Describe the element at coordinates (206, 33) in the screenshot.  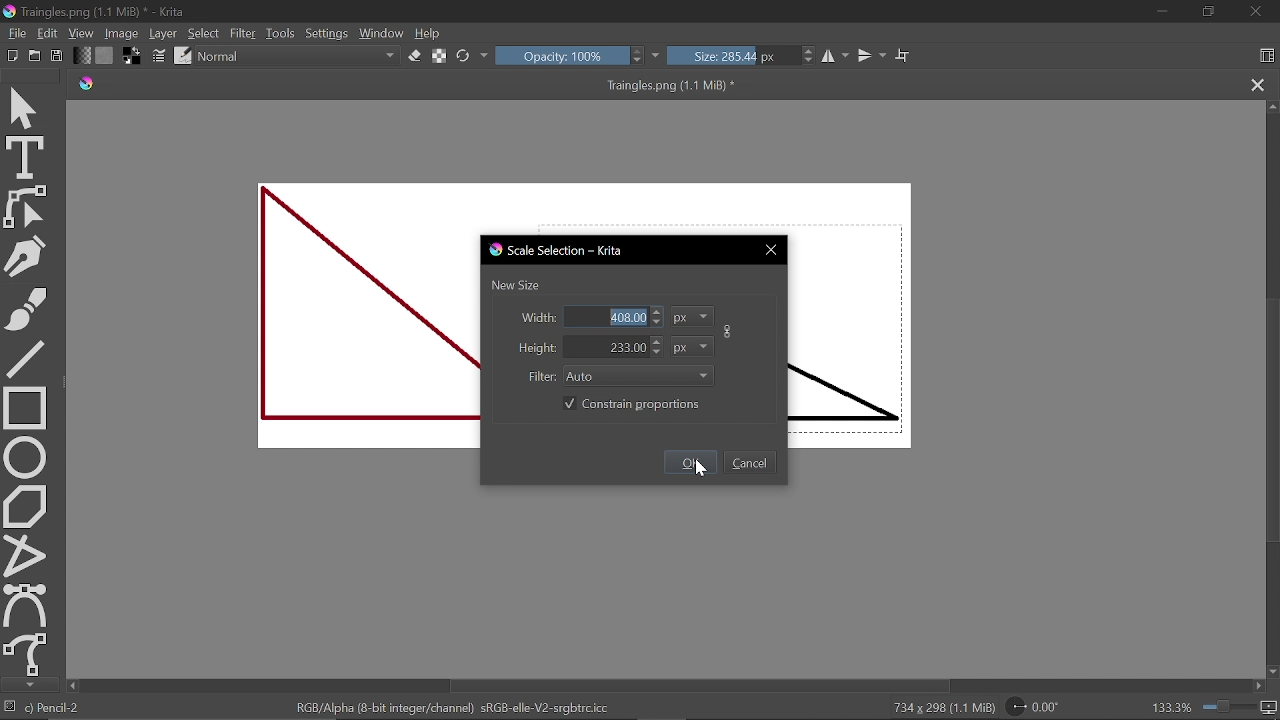
I see `Select` at that location.